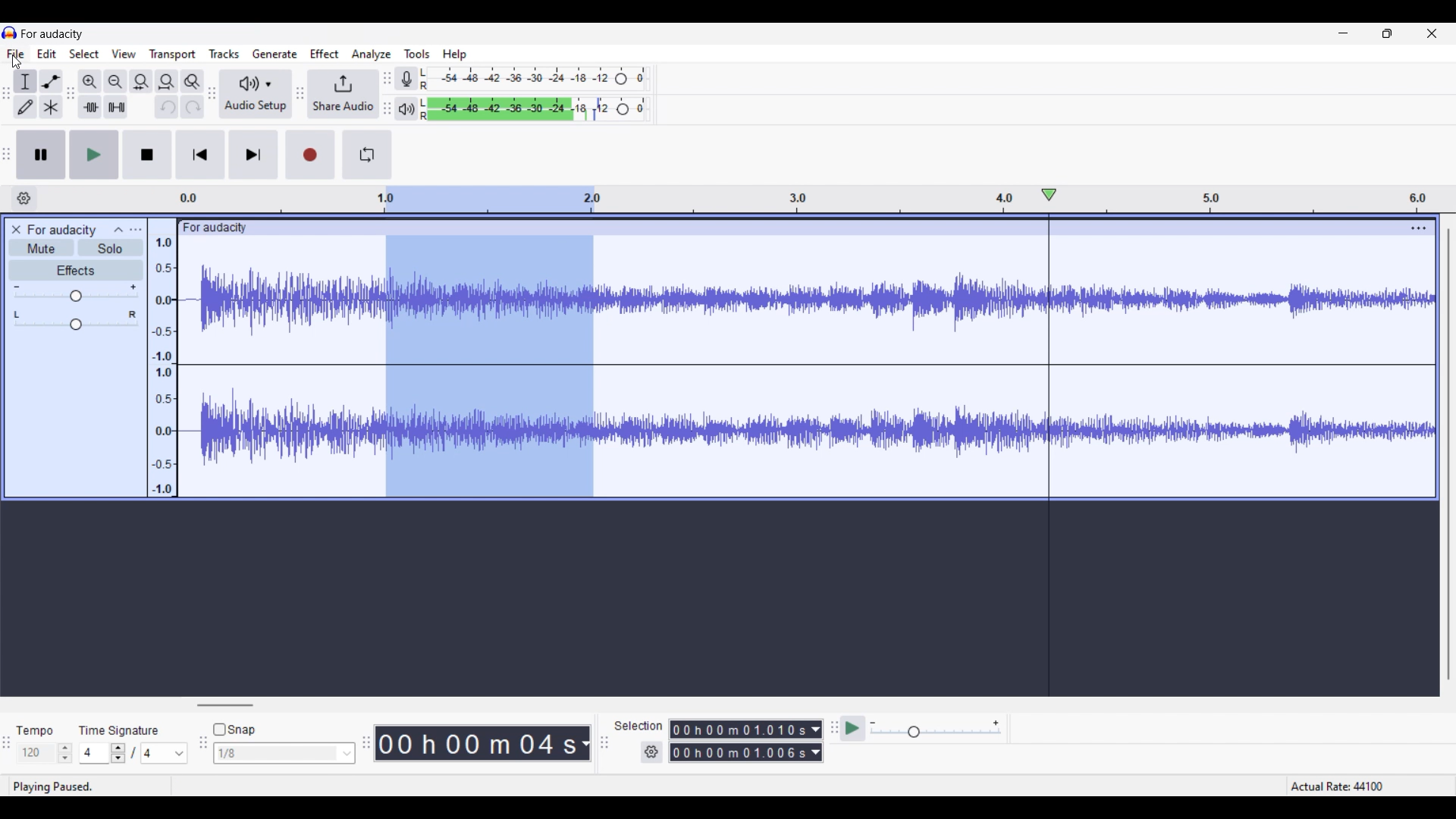 This screenshot has height=819, width=1456. Describe the element at coordinates (173, 55) in the screenshot. I see `Transport menu` at that location.